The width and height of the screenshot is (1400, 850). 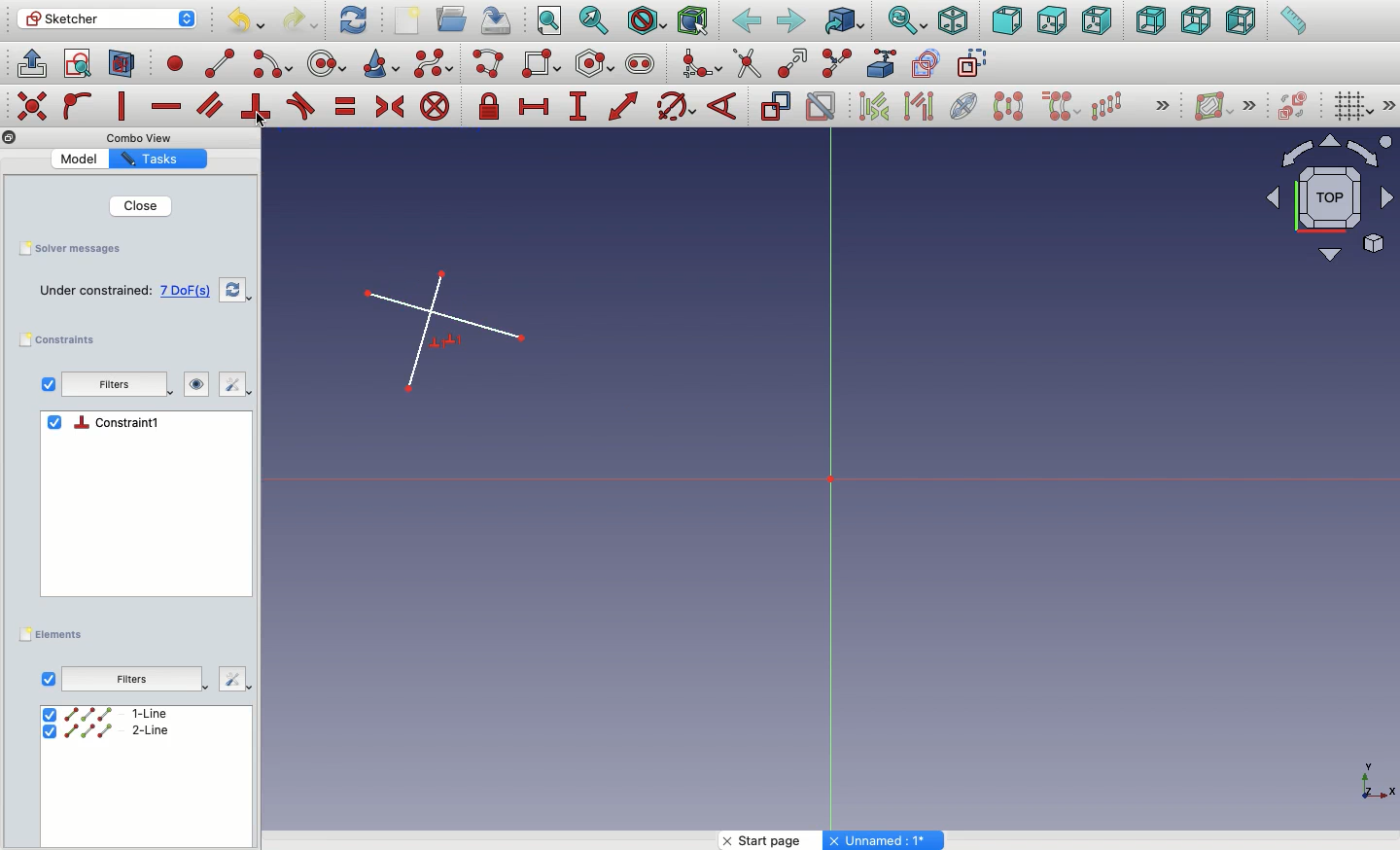 What do you see at coordinates (434, 64) in the screenshot?
I see `B-spline` at bounding box center [434, 64].